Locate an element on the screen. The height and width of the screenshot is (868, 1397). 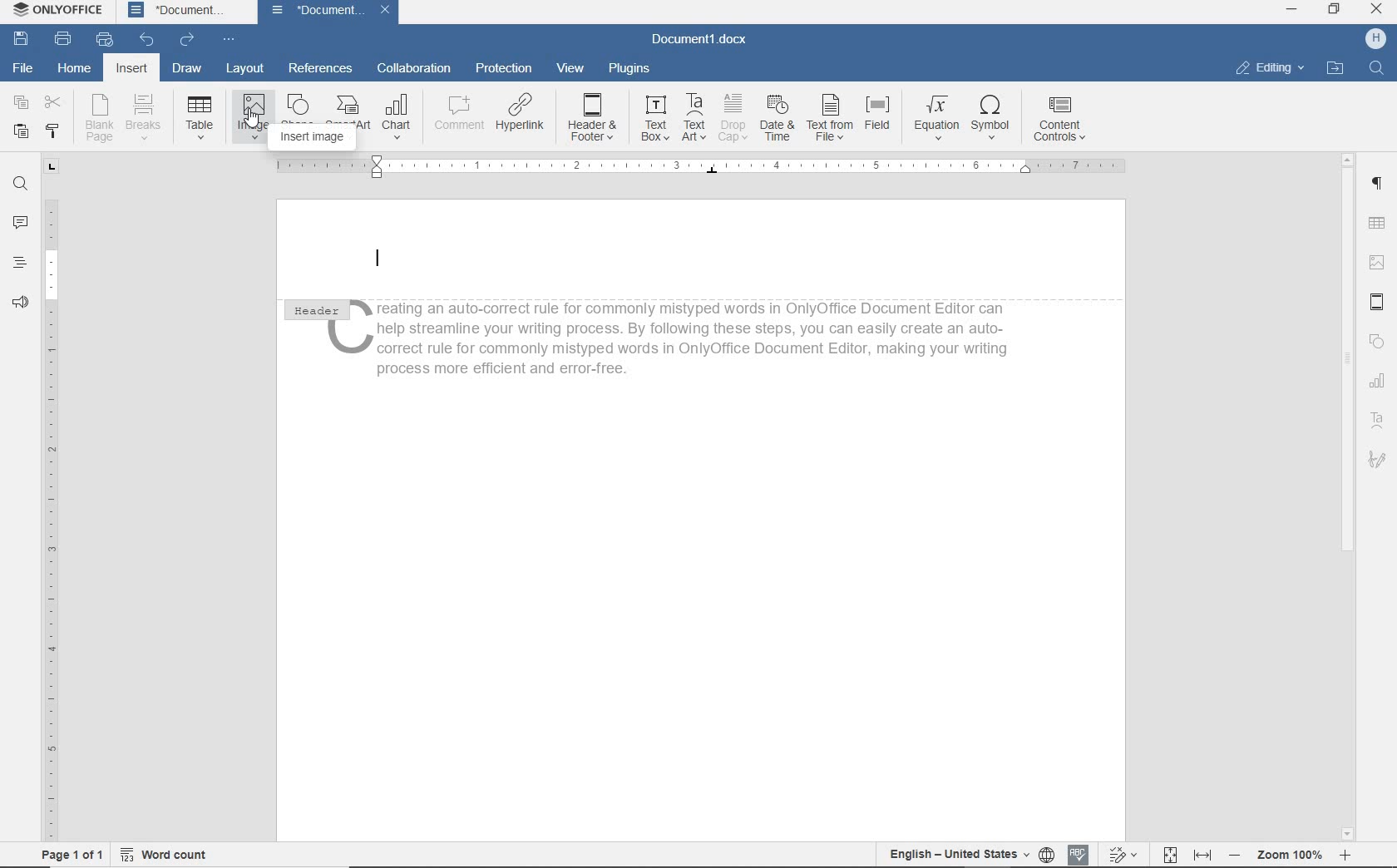
 is located at coordinates (379, 259).